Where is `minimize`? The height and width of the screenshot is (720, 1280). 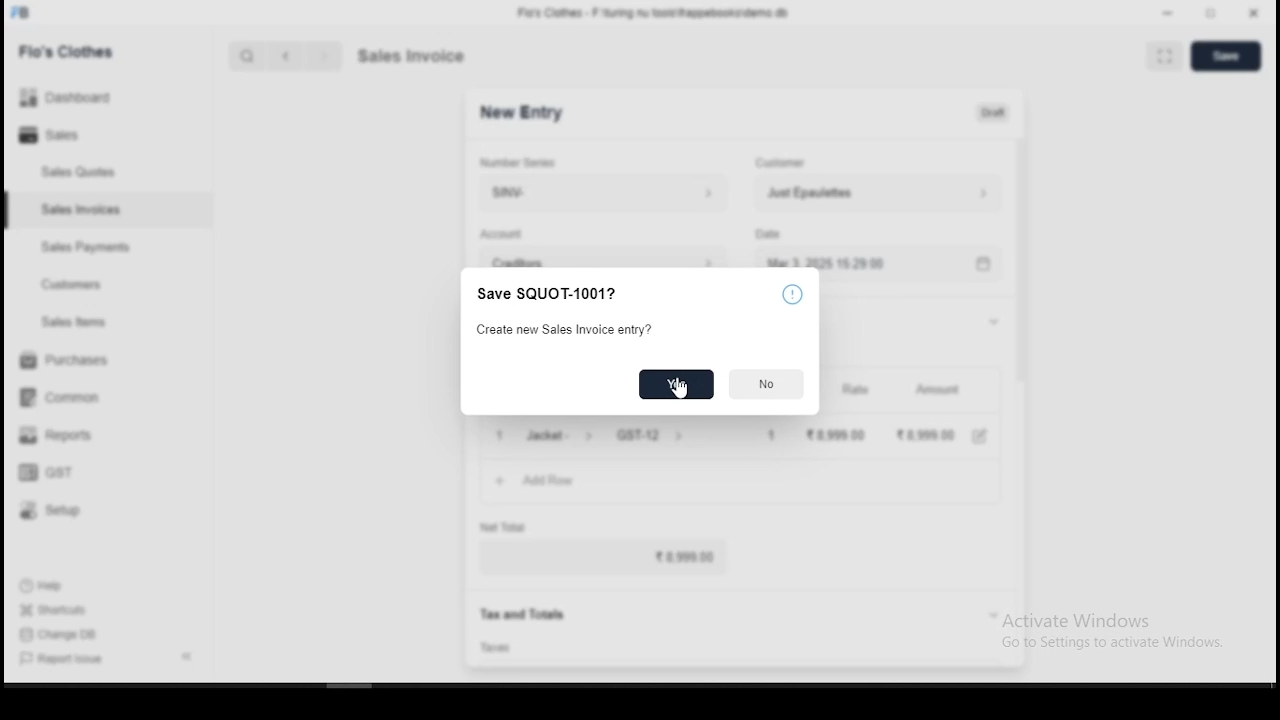
minimize is located at coordinates (1163, 13).